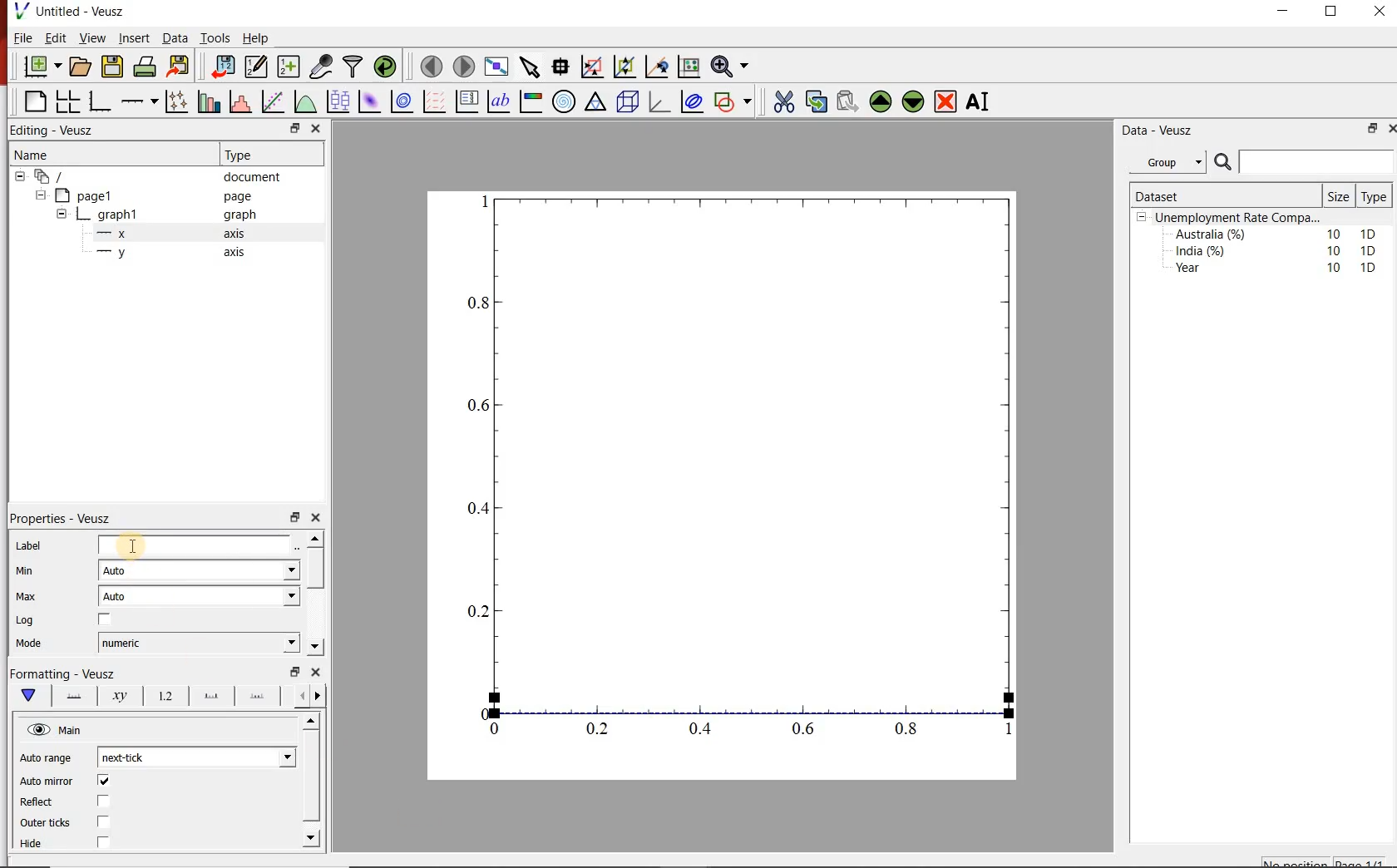 Image resolution: width=1397 pixels, height=868 pixels. I want to click on tick labels, so click(166, 697).